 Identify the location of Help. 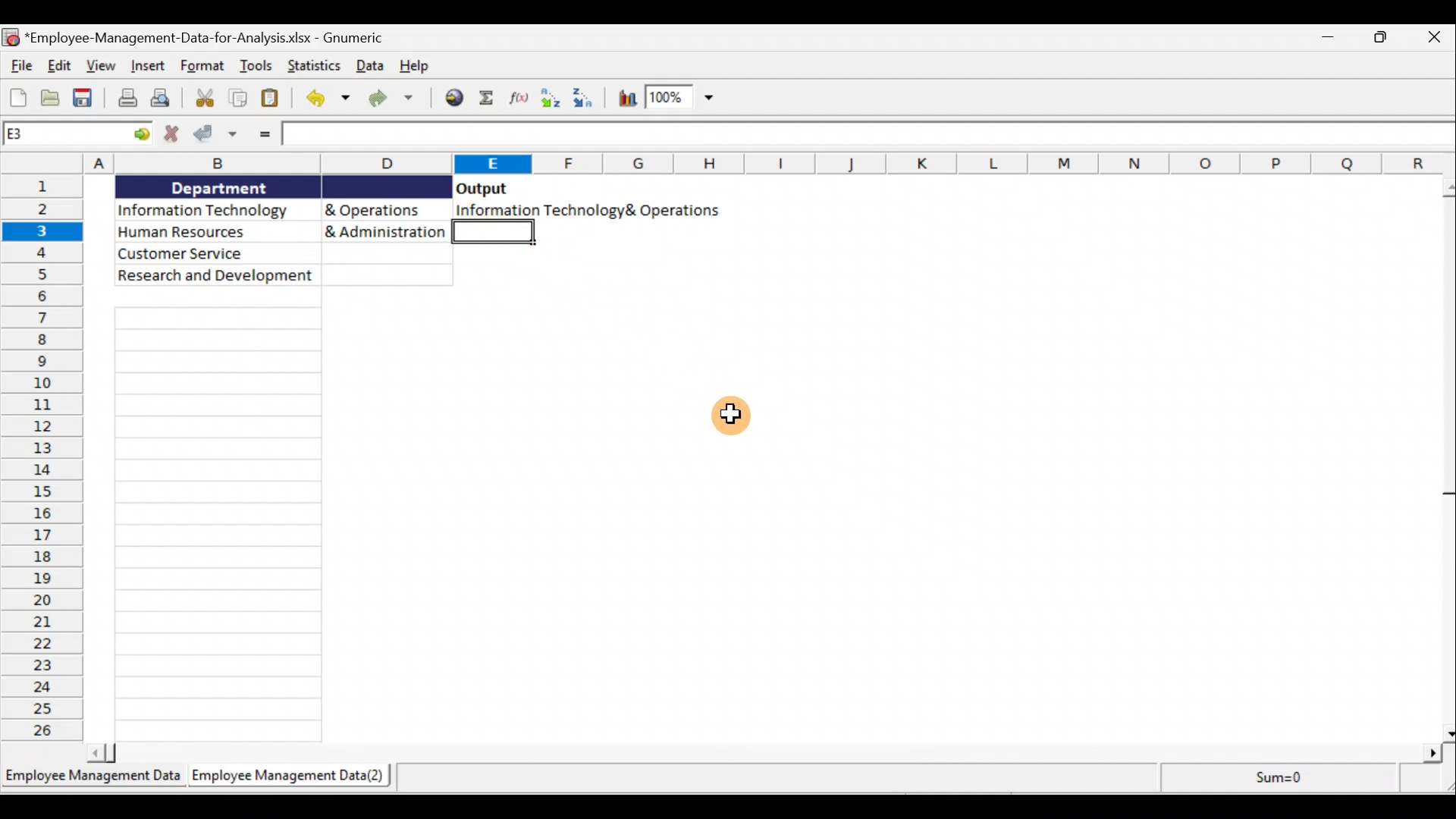
(412, 65).